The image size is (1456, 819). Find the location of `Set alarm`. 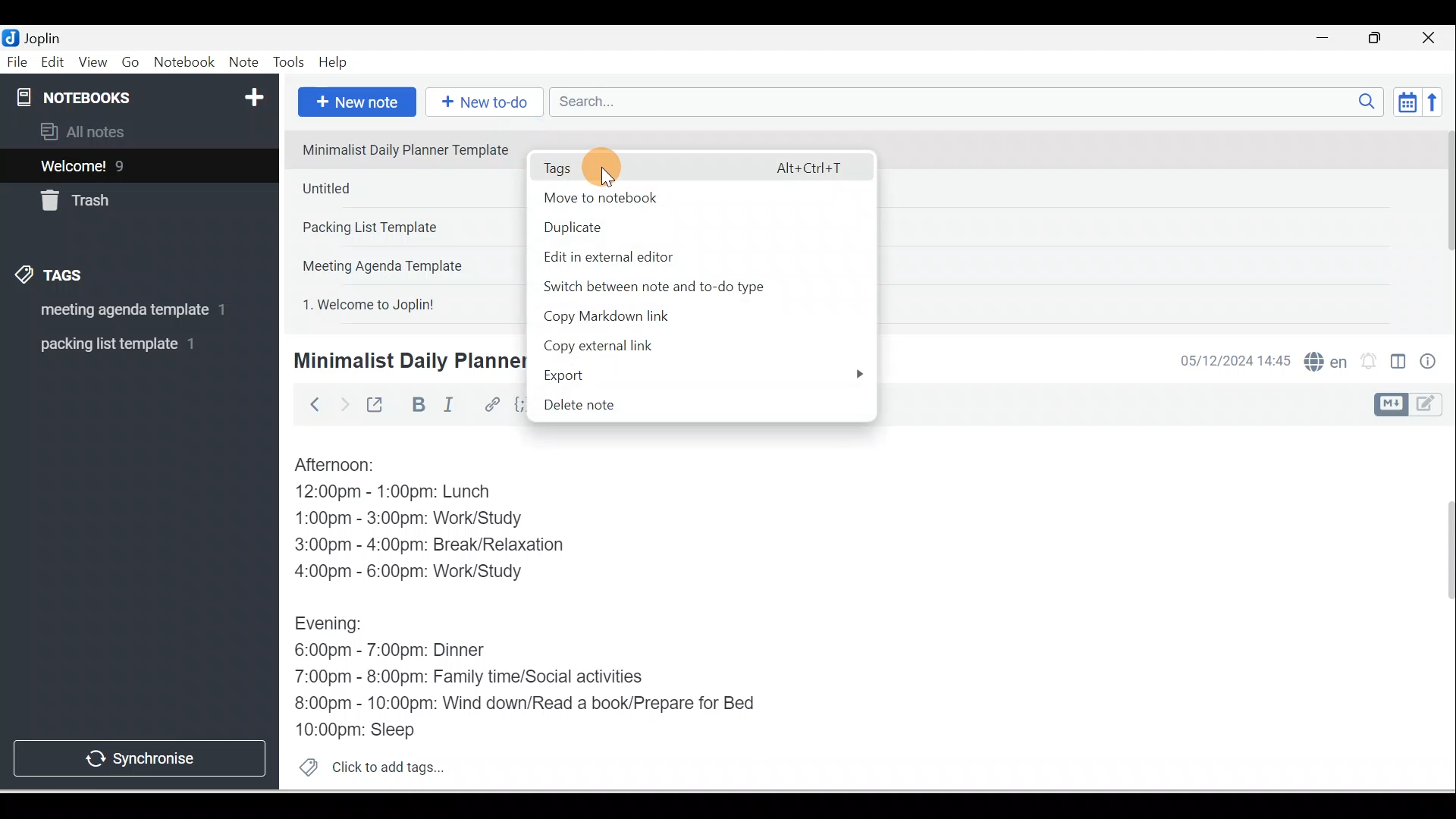

Set alarm is located at coordinates (1367, 362).